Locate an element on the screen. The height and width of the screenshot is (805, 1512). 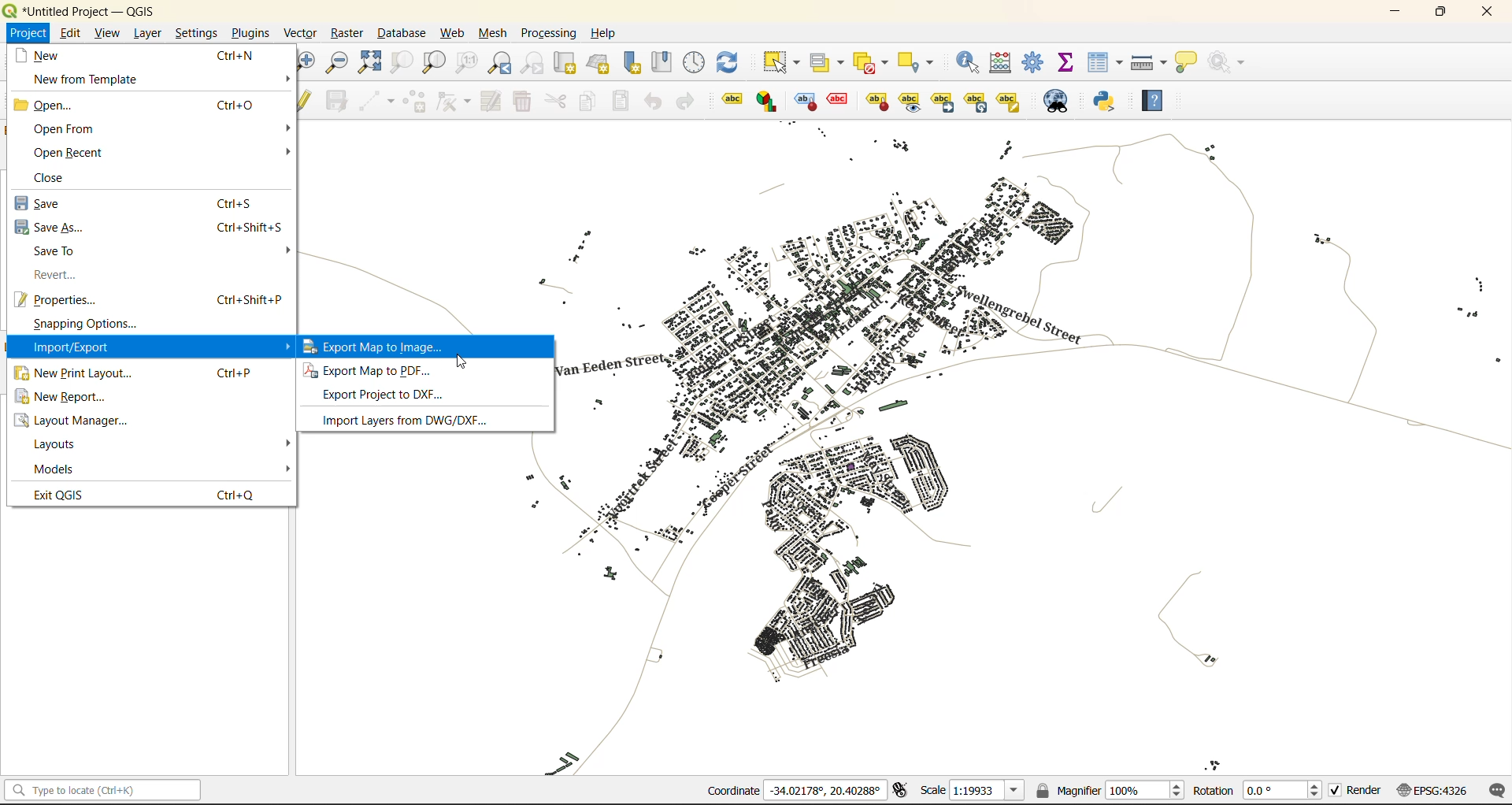
scale is located at coordinates (968, 791).